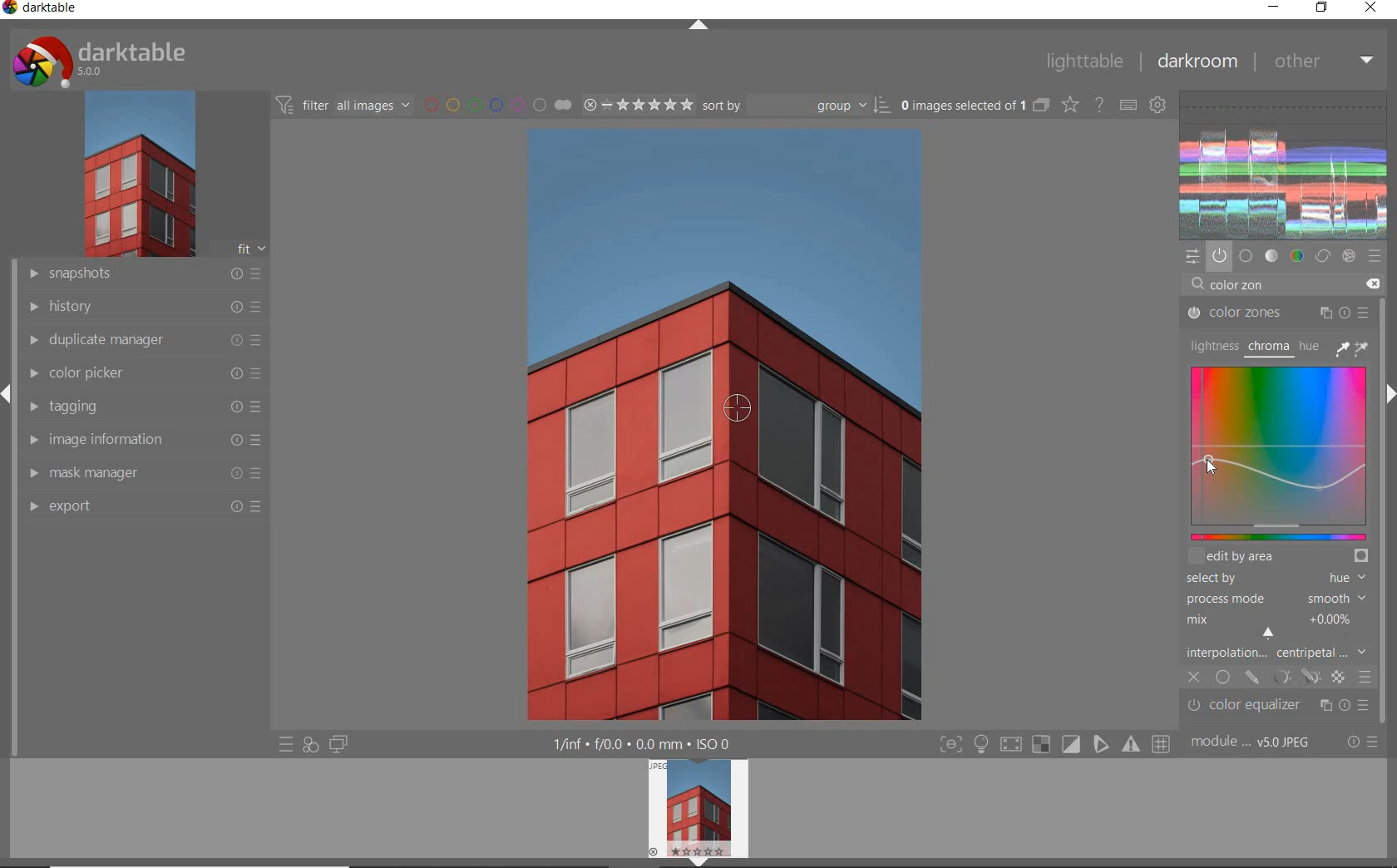 This screenshot has height=868, width=1397. Describe the element at coordinates (1100, 745) in the screenshot. I see `guides overlay` at that location.